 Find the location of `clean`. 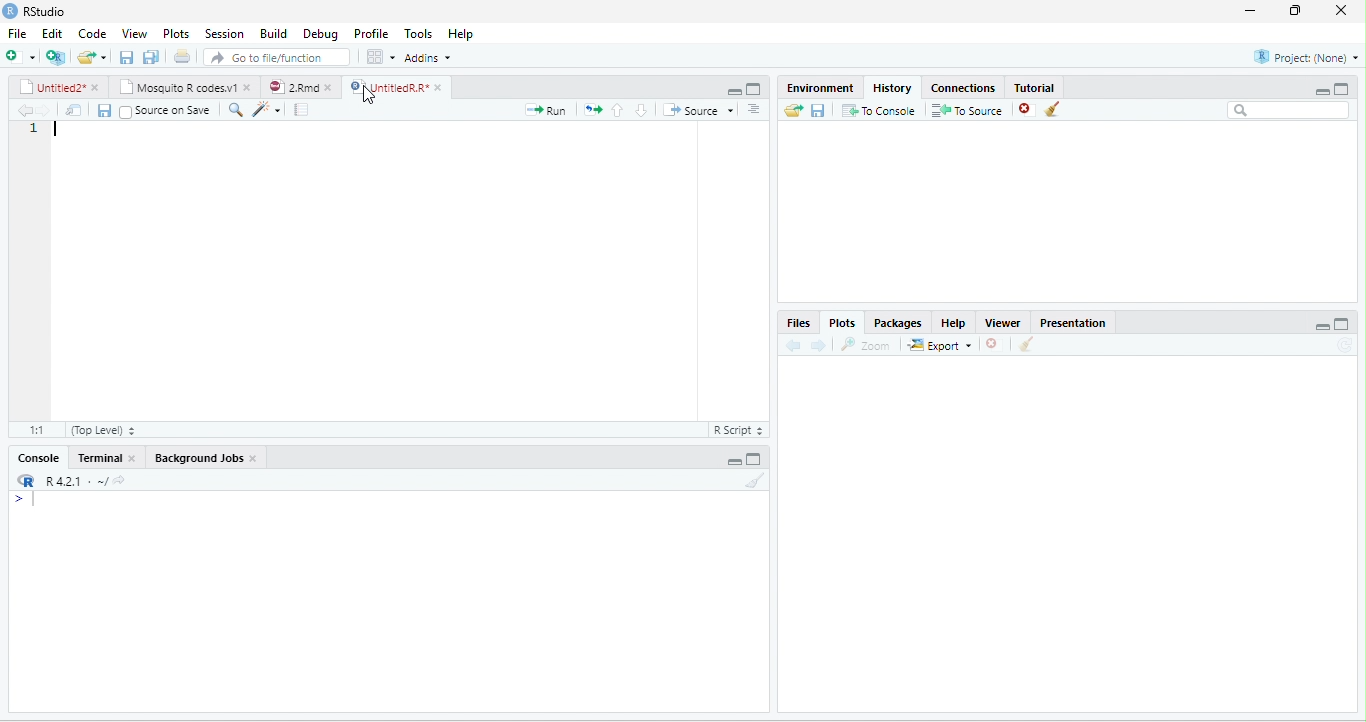

clean is located at coordinates (746, 482).